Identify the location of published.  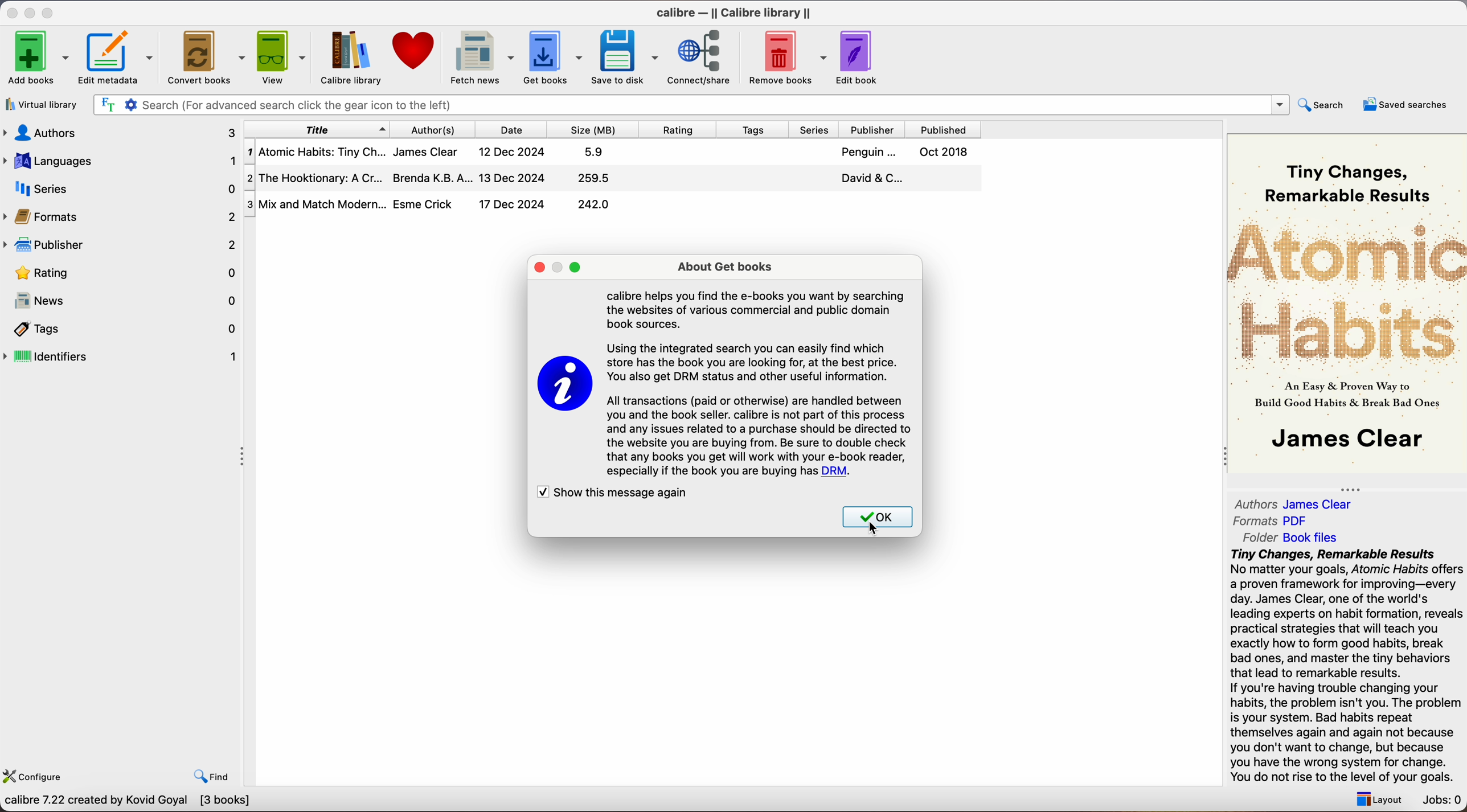
(946, 130).